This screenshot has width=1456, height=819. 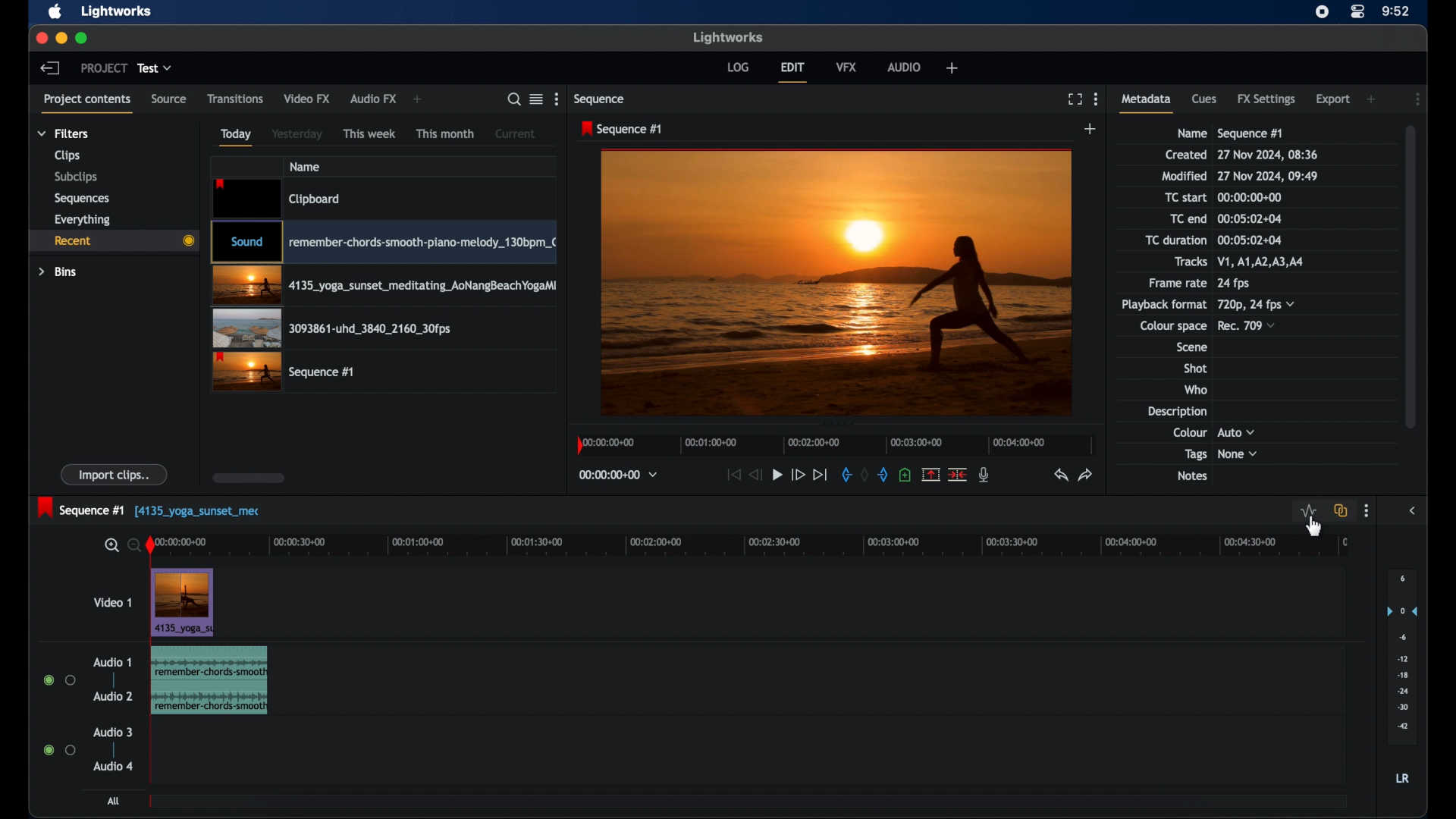 What do you see at coordinates (755, 475) in the screenshot?
I see `rewind` at bounding box center [755, 475].